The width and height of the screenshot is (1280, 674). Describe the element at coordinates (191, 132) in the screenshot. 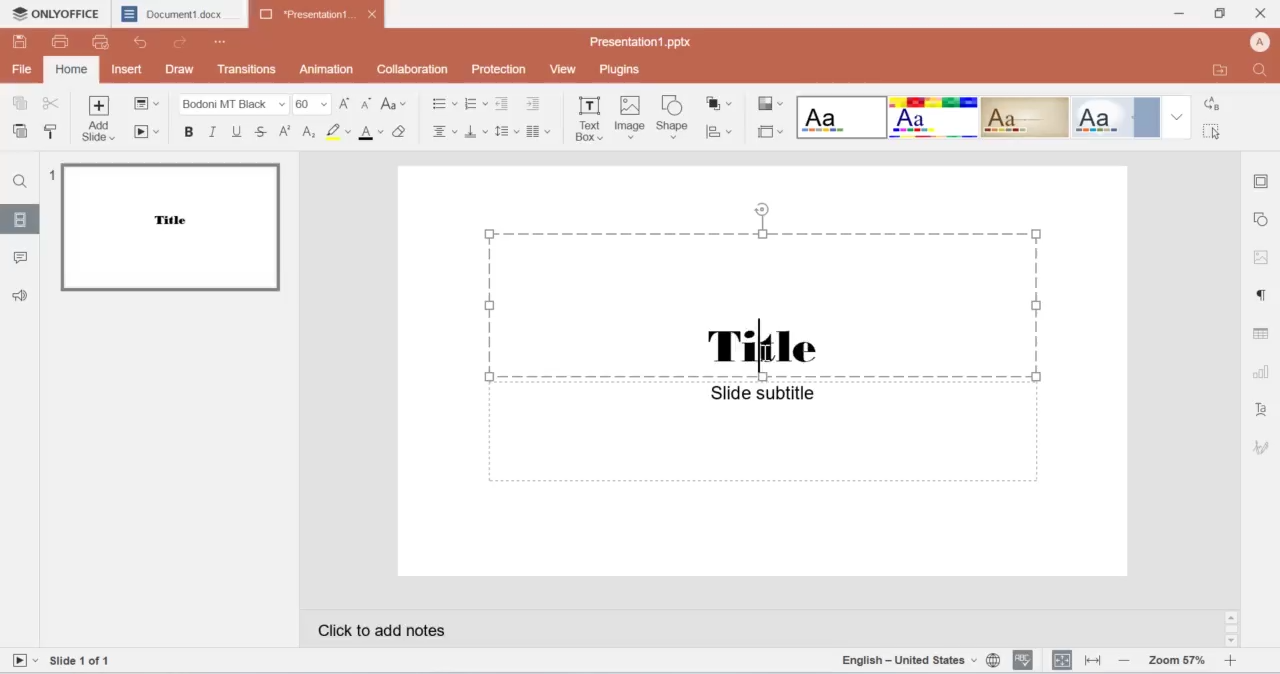

I see `bold` at that location.